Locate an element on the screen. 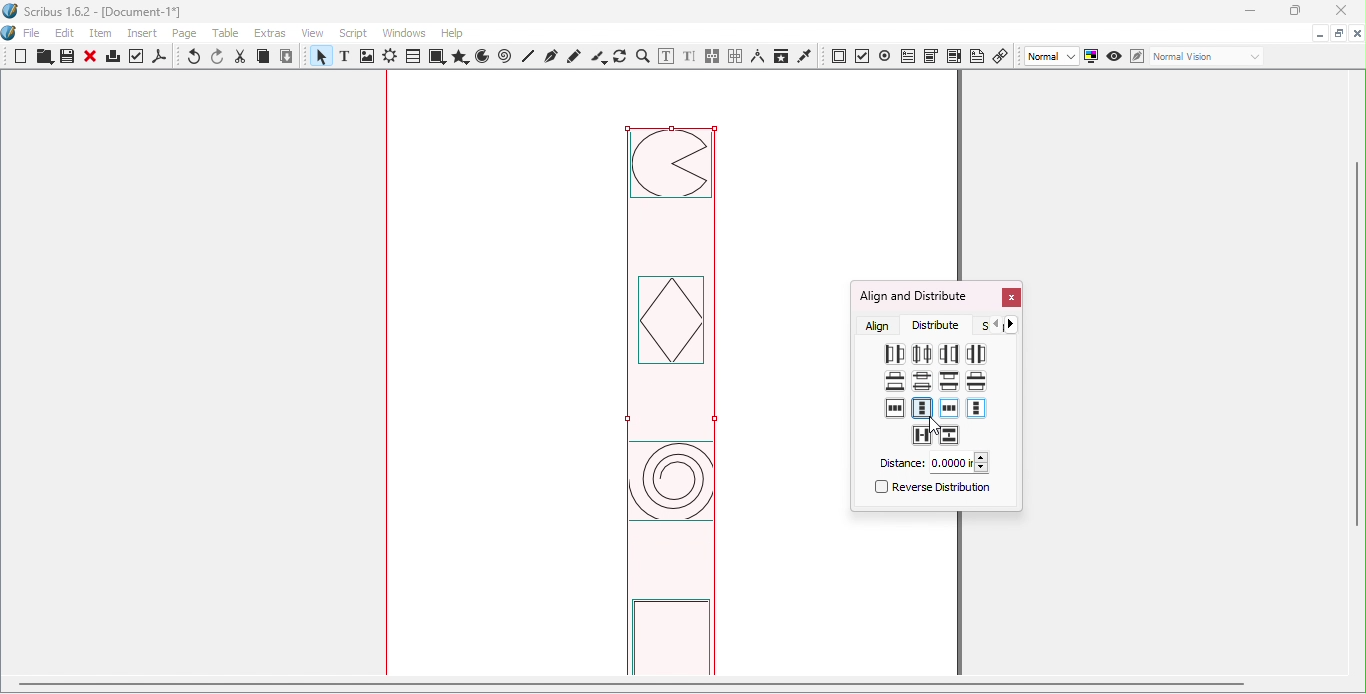  Reverse distribution is located at coordinates (930, 490).